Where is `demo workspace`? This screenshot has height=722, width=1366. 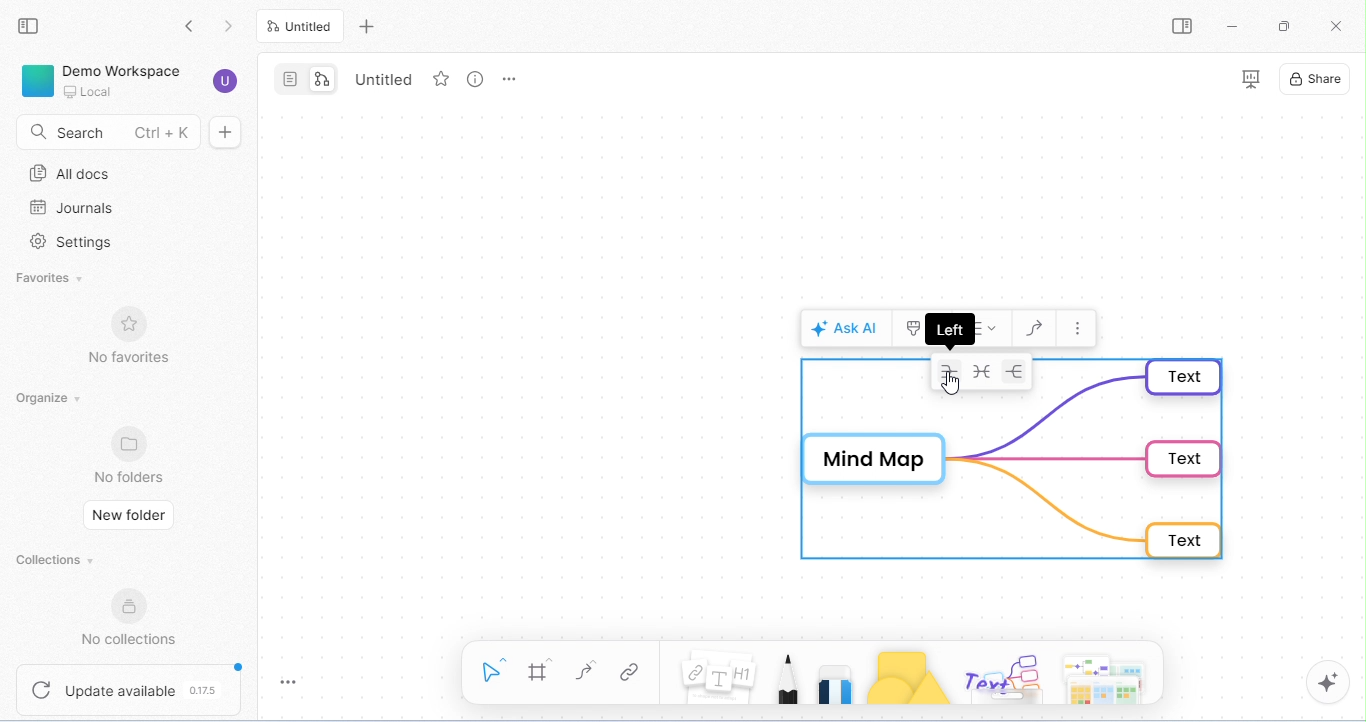
demo workspace is located at coordinates (128, 81).